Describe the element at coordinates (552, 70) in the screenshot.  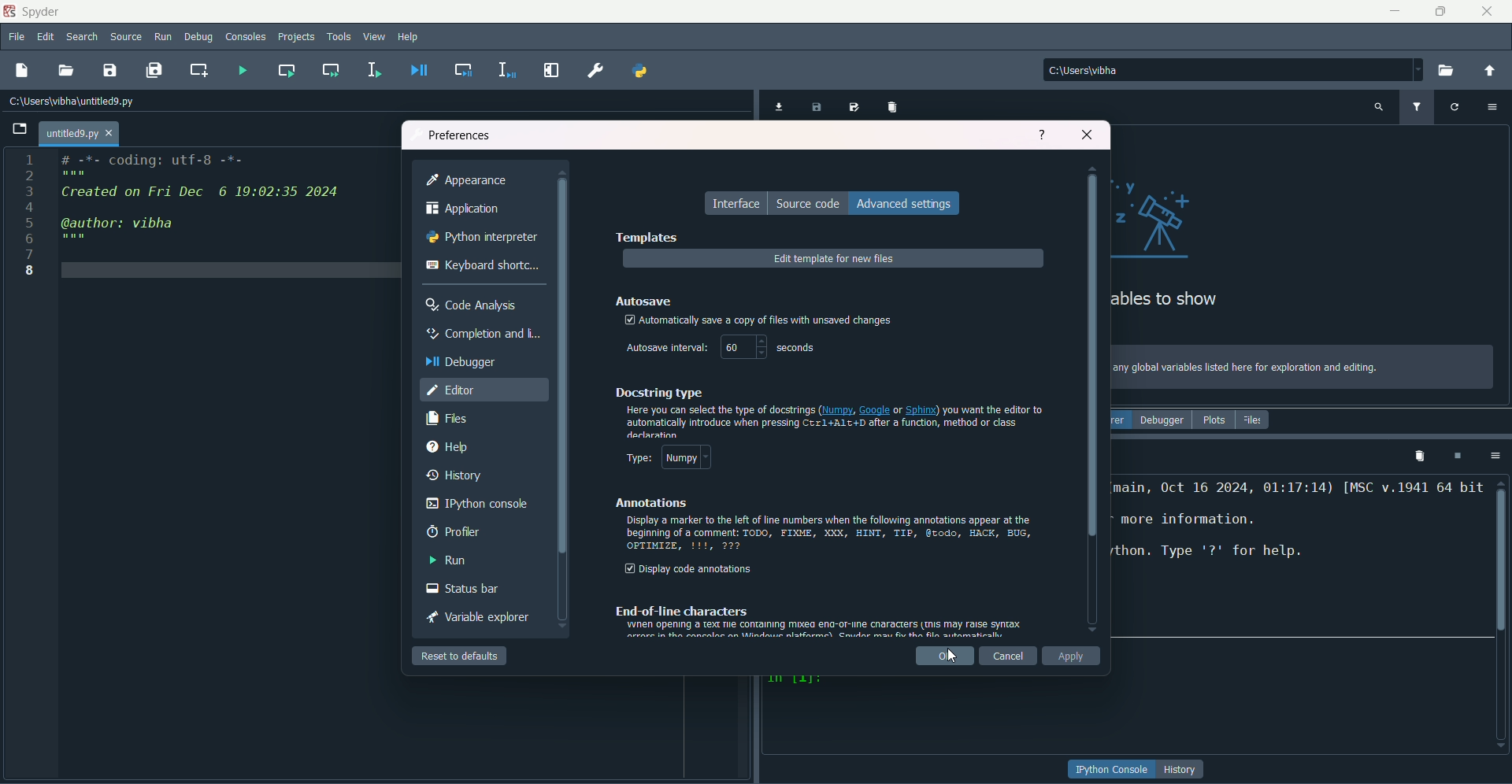
I see `maximize current pane` at that location.